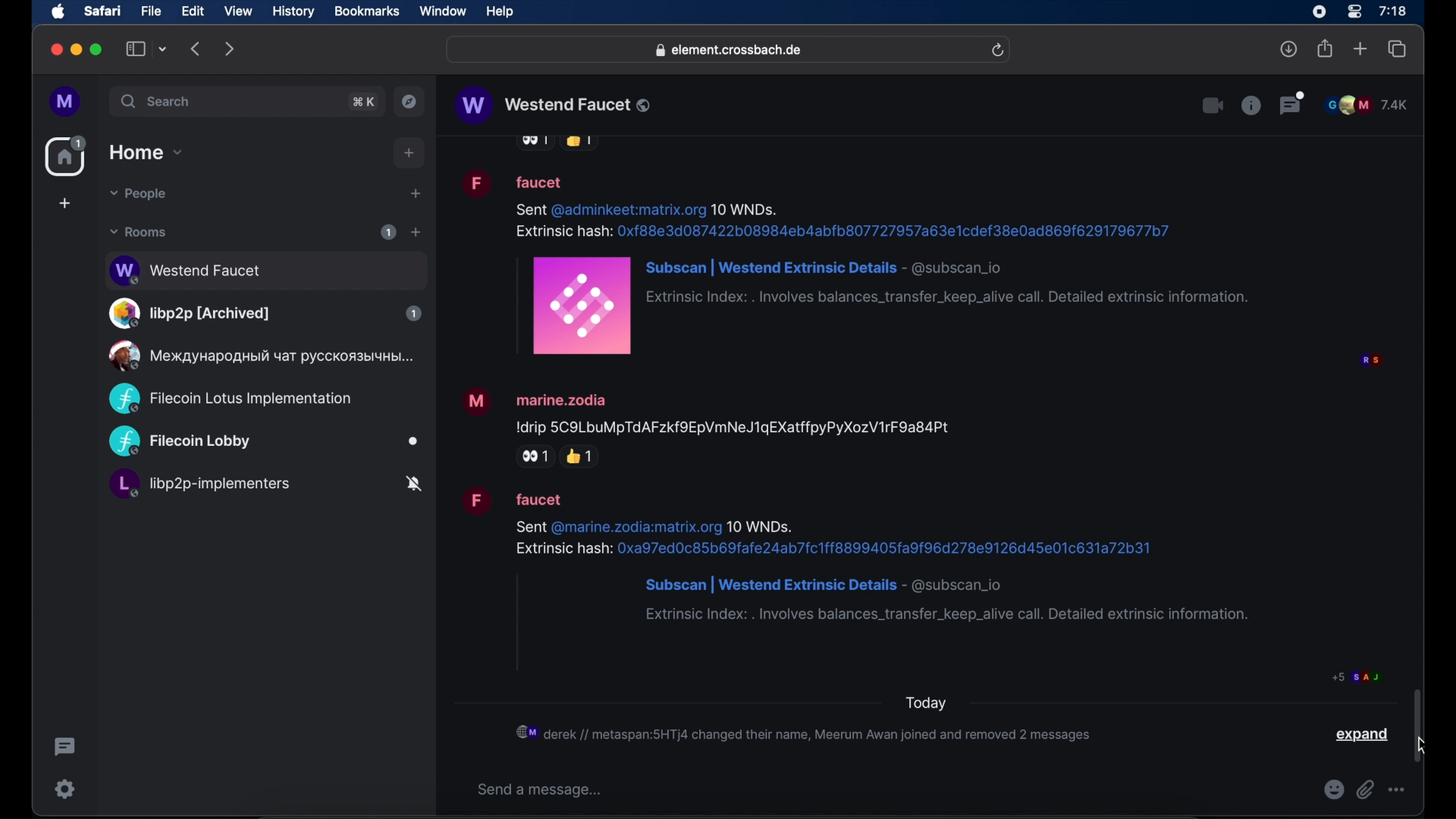 The image size is (1456, 819). What do you see at coordinates (265, 486) in the screenshot?
I see `public room` at bounding box center [265, 486].